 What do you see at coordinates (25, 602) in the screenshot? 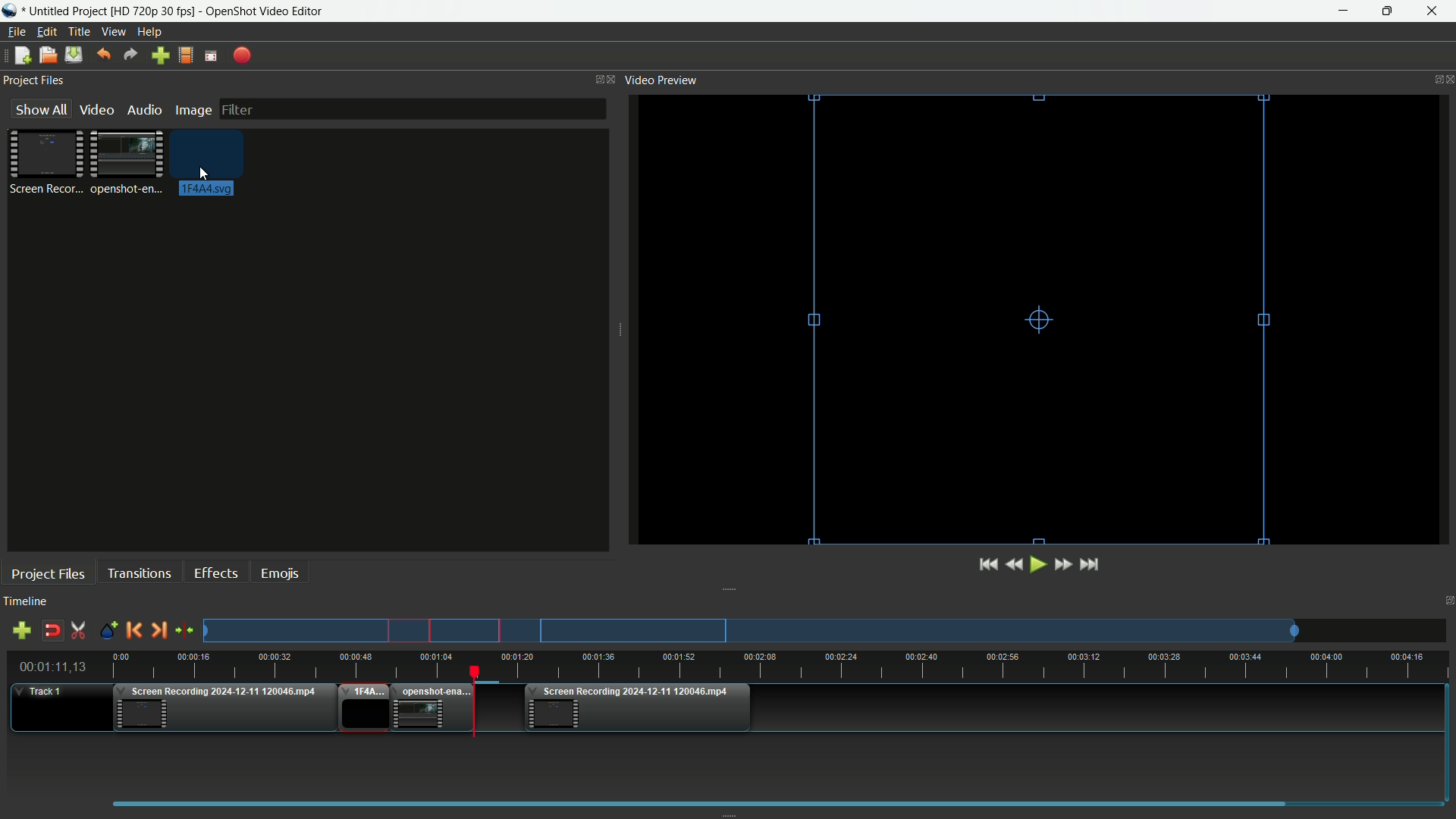
I see `Timeline` at bounding box center [25, 602].